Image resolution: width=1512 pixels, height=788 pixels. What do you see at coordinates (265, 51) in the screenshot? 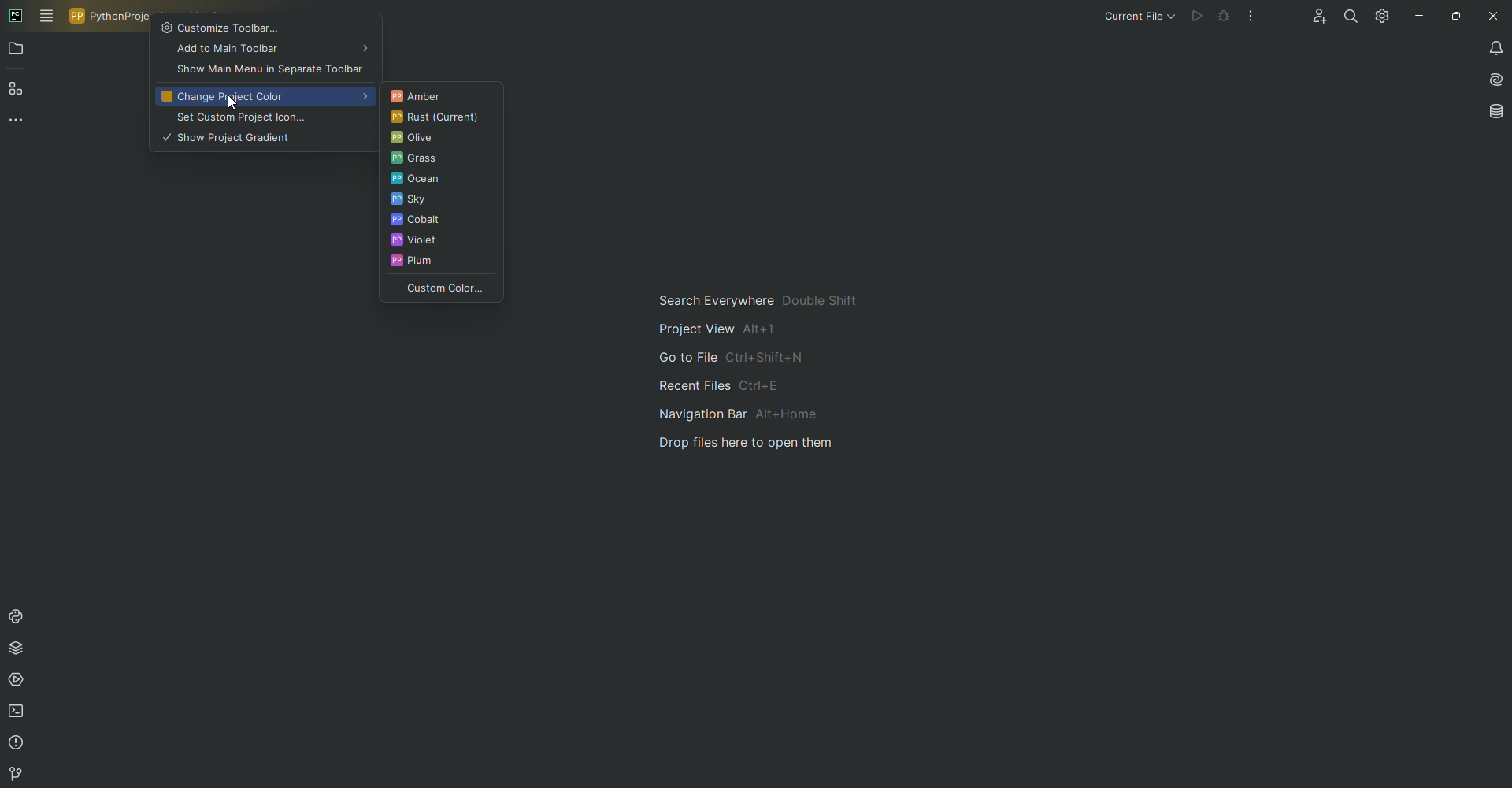
I see `Add to Main Toolbar` at bounding box center [265, 51].